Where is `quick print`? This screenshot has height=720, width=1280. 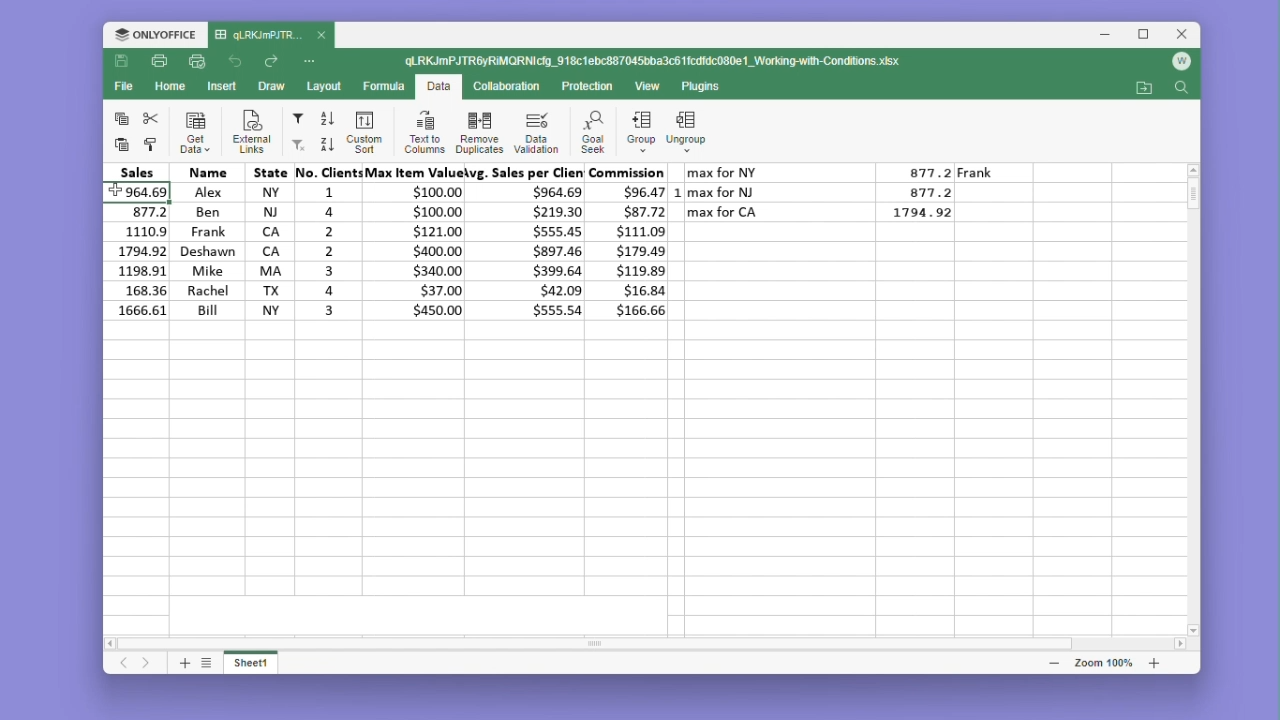 quick print is located at coordinates (198, 62).